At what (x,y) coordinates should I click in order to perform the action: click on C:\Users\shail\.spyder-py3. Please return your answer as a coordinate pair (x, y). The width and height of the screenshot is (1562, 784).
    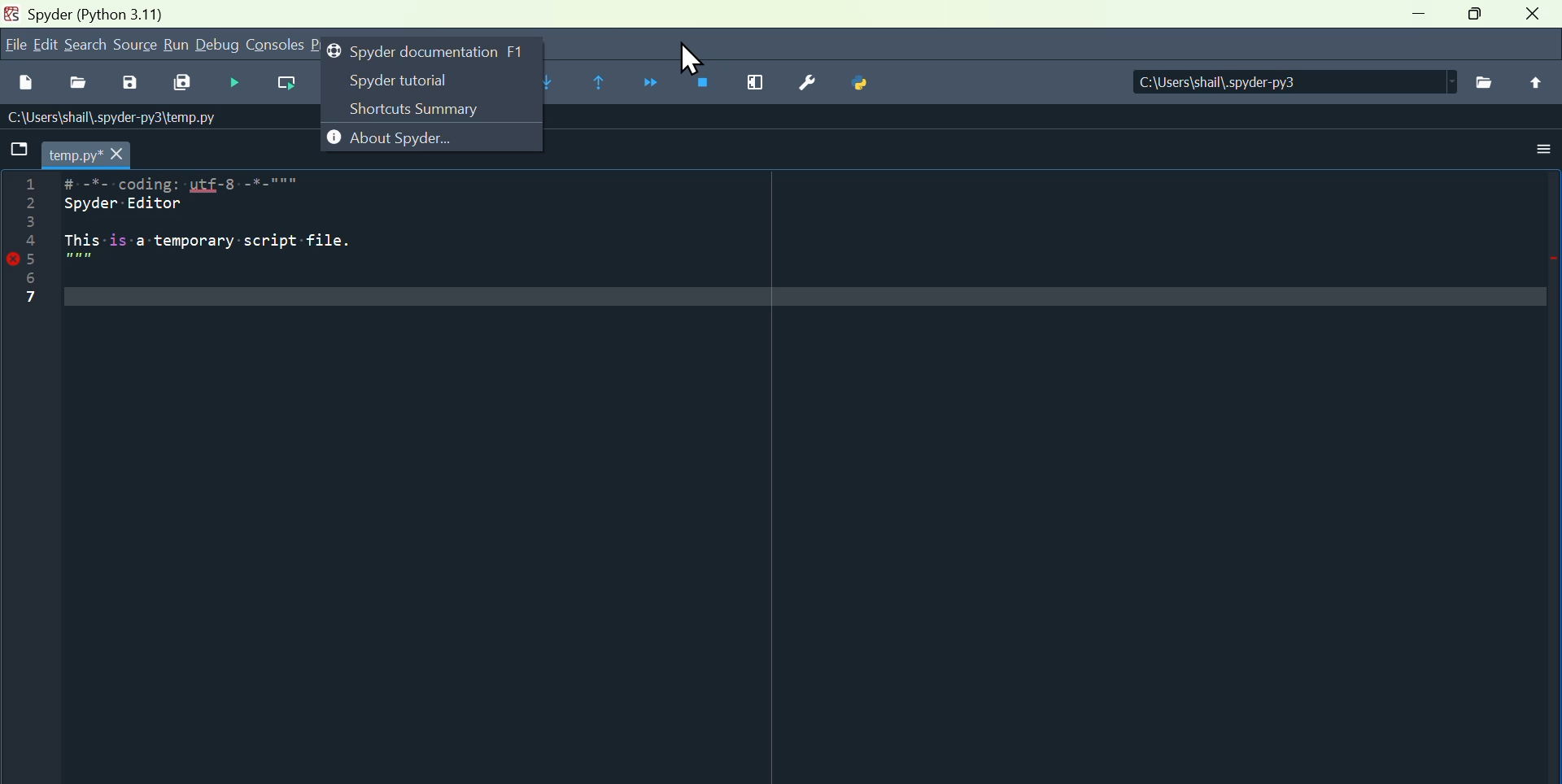
    Looking at the image, I should click on (1276, 82).